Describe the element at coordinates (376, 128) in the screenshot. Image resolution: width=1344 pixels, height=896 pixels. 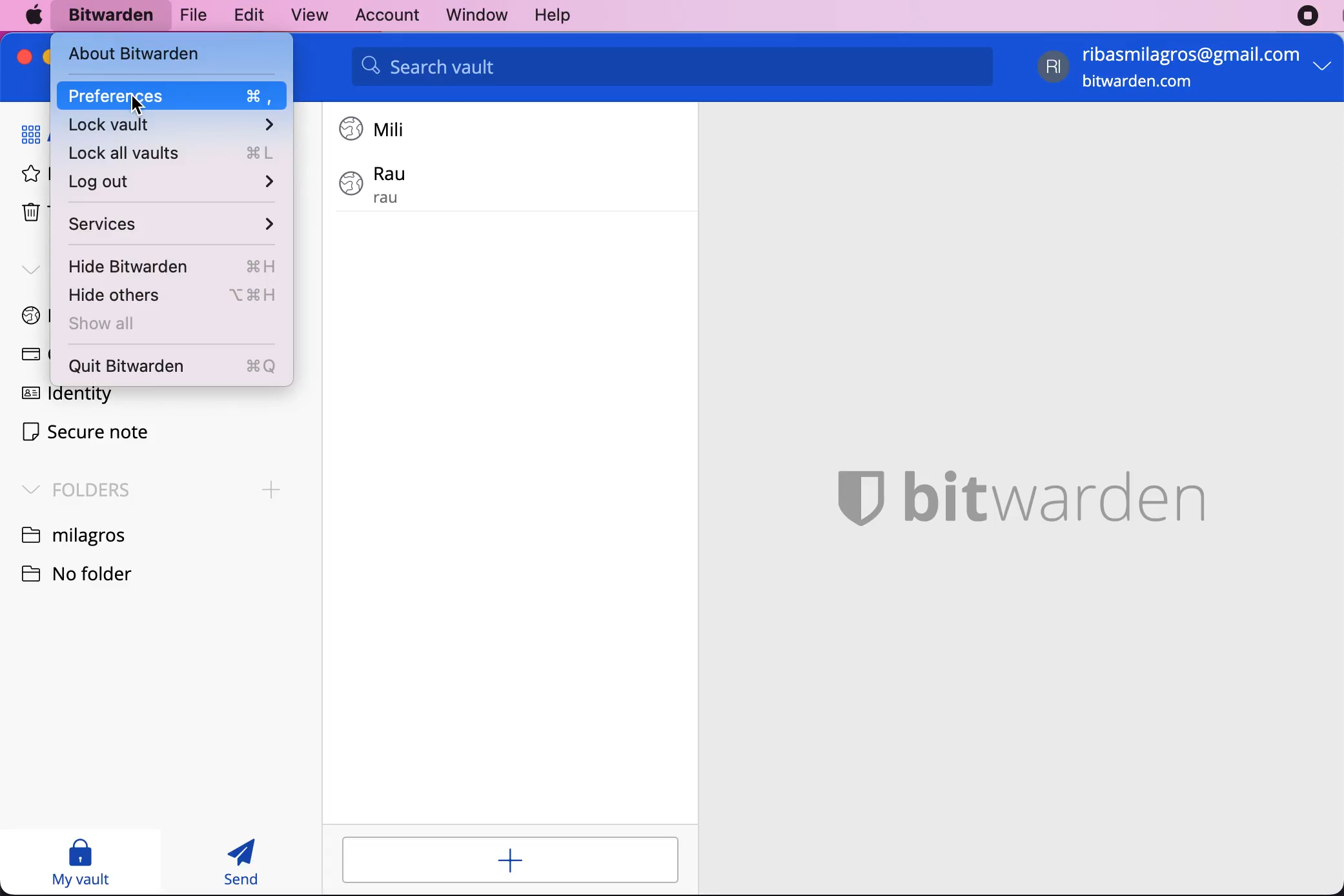
I see `login 1` at that location.